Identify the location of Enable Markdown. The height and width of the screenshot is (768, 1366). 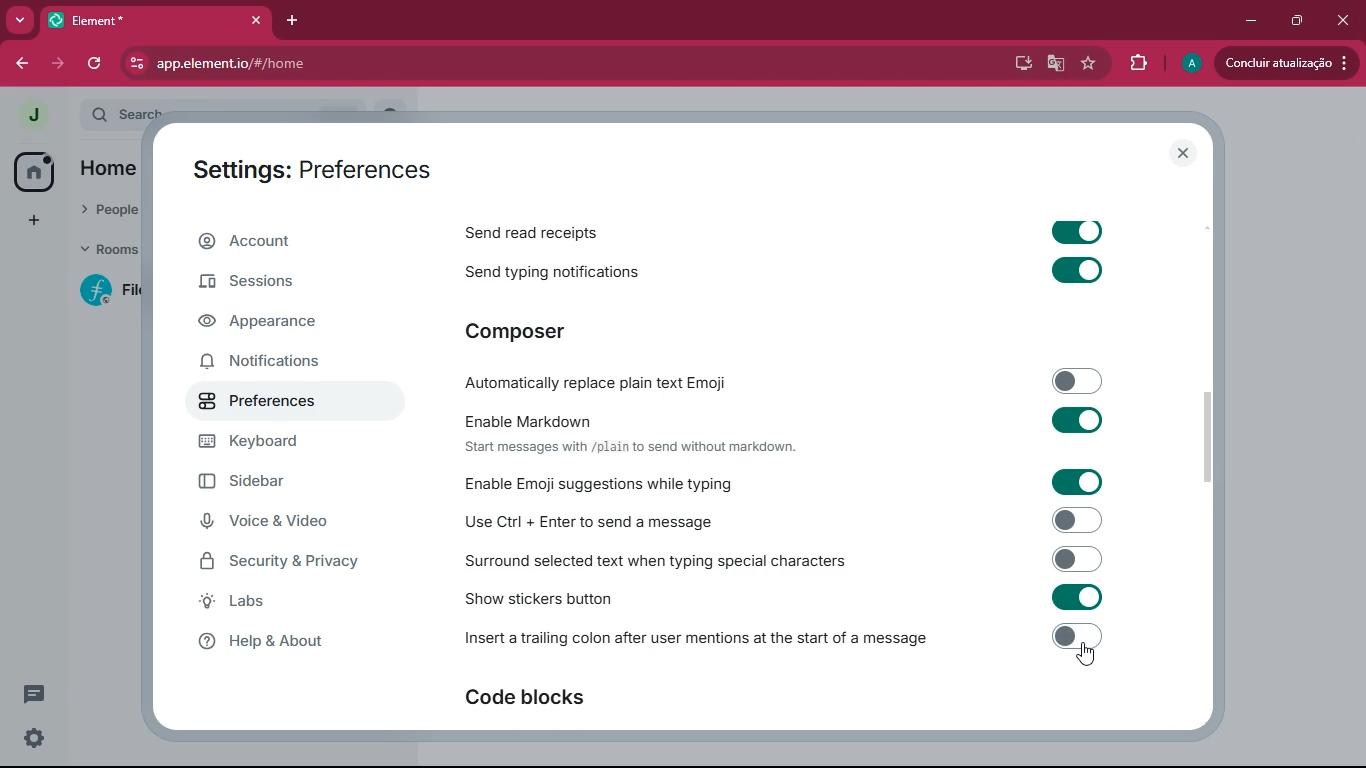
(775, 419).